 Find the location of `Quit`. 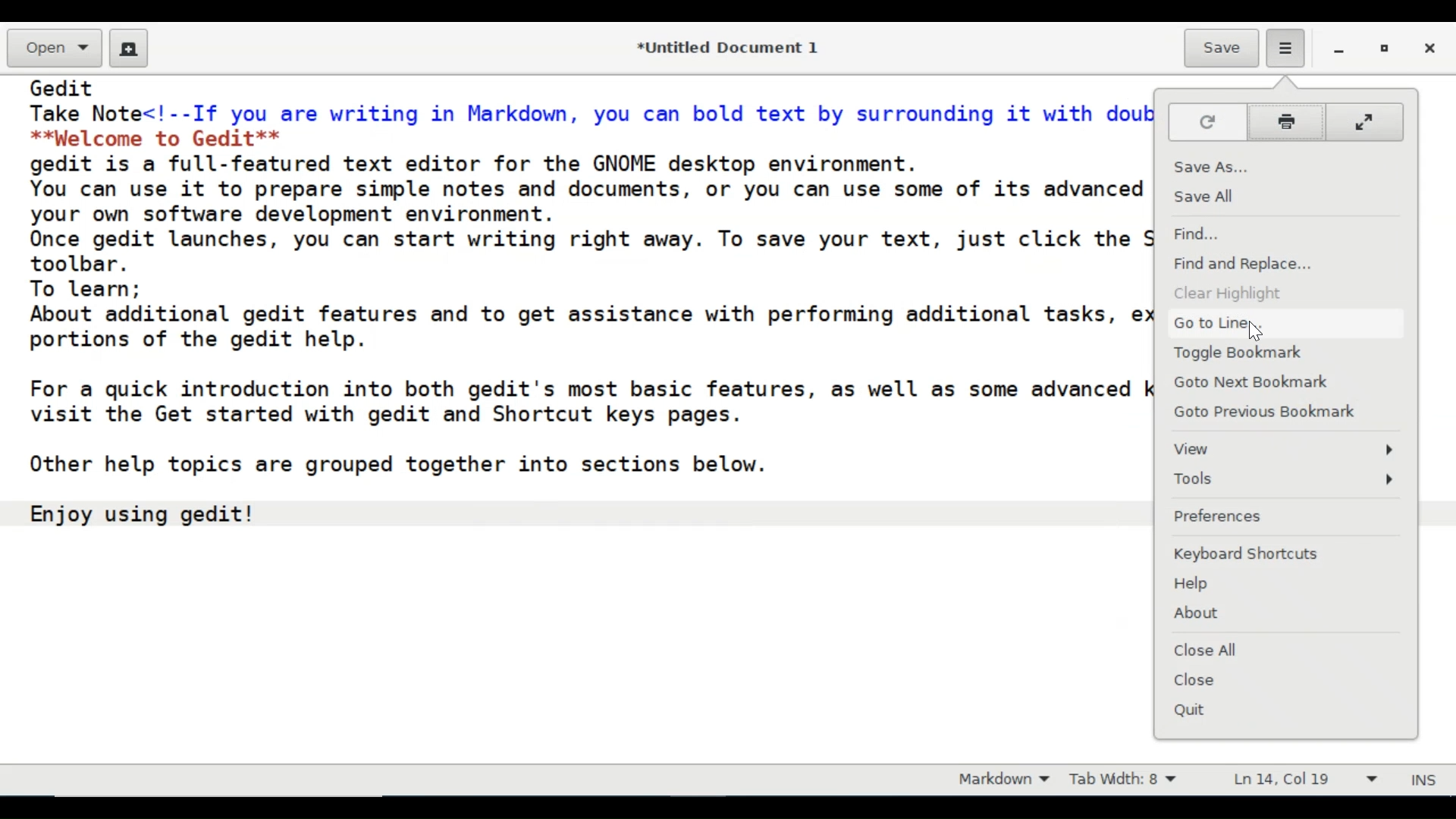

Quit is located at coordinates (1193, 711).